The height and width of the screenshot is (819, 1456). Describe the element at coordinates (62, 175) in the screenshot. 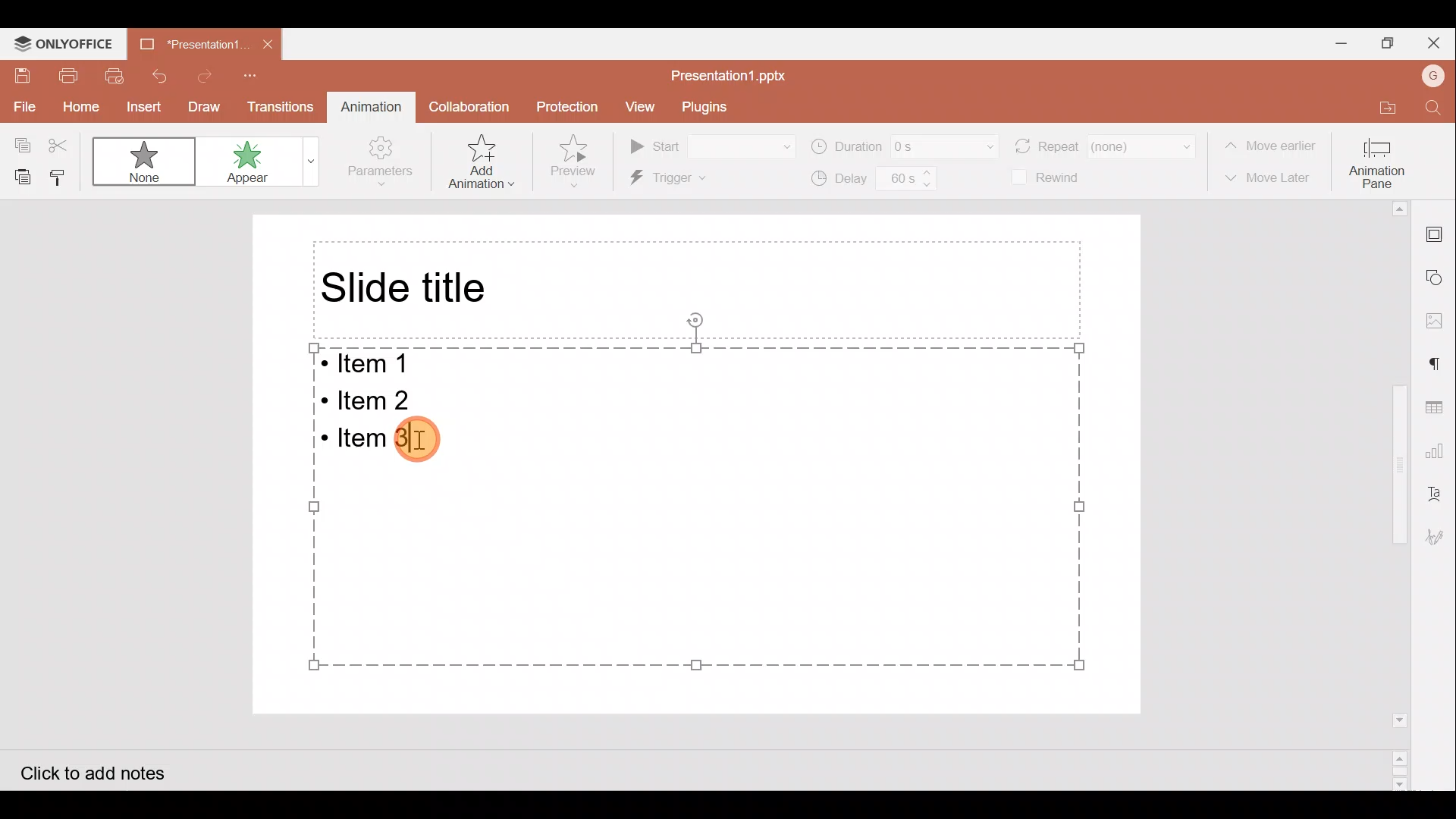

I see `Copy style` at that location.